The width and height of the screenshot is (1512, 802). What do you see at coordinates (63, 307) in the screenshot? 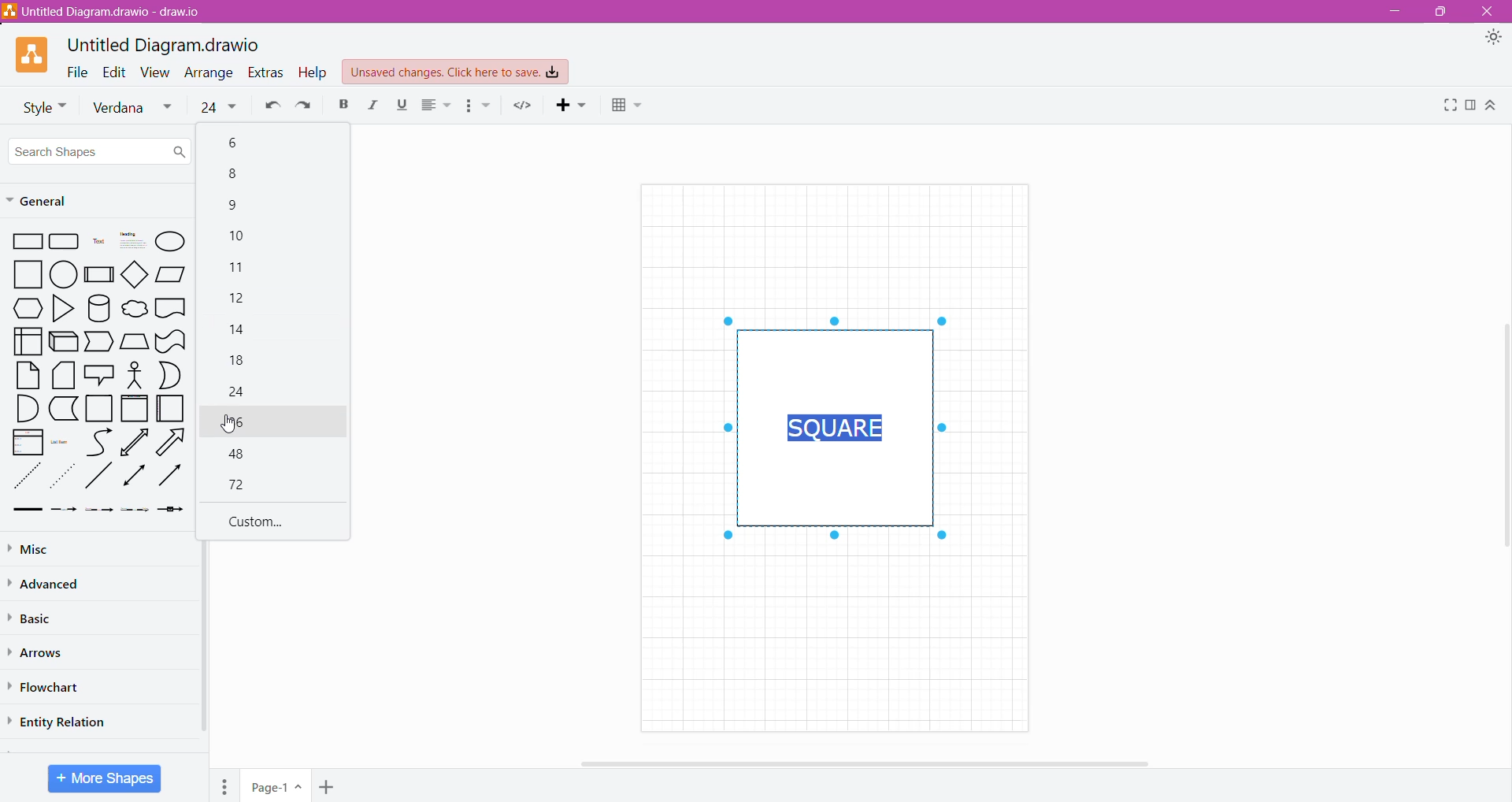
I see `Triangle` at bounding box center [63, 307].